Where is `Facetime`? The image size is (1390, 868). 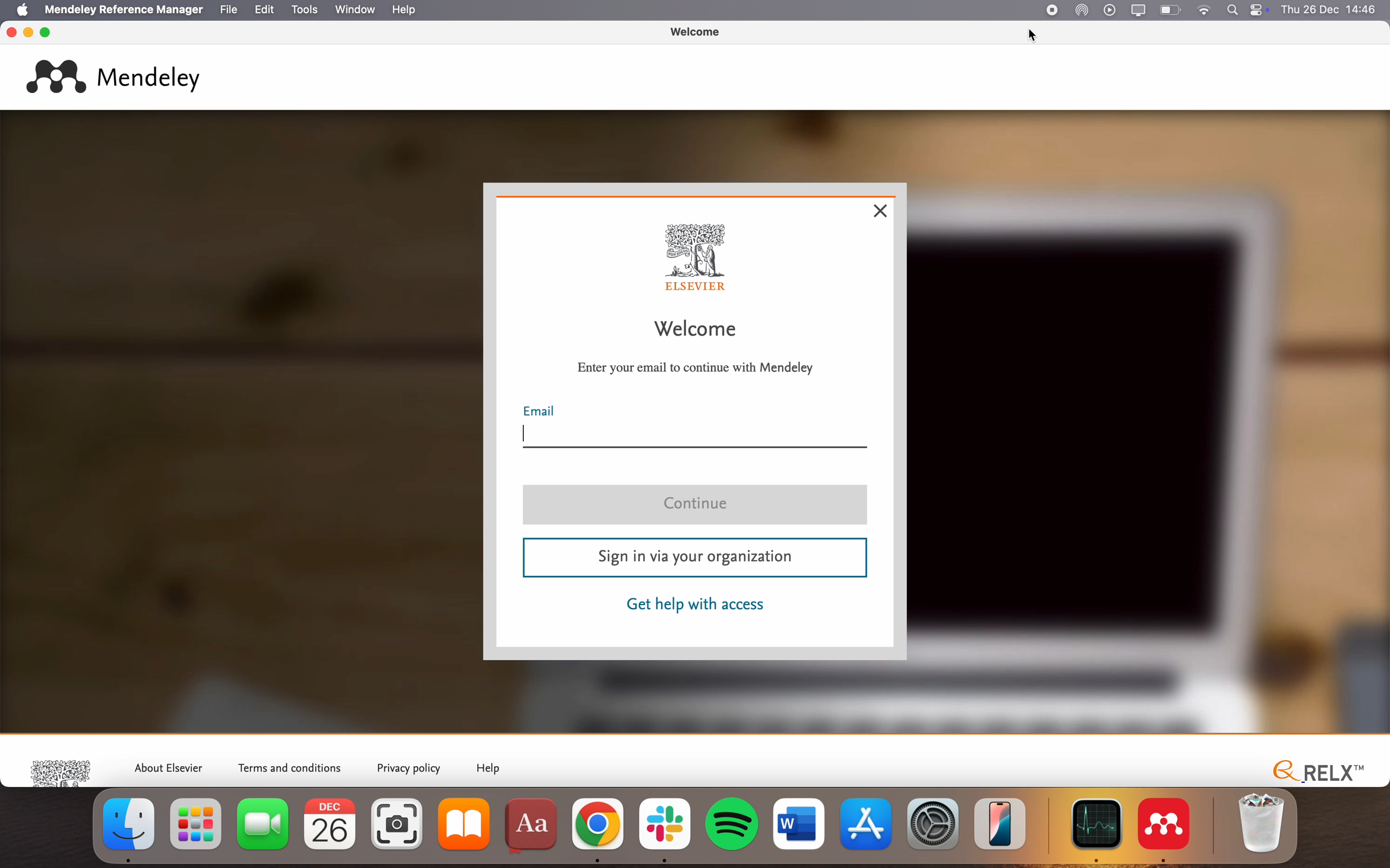 Facetime is located at coordinates (261, 827).